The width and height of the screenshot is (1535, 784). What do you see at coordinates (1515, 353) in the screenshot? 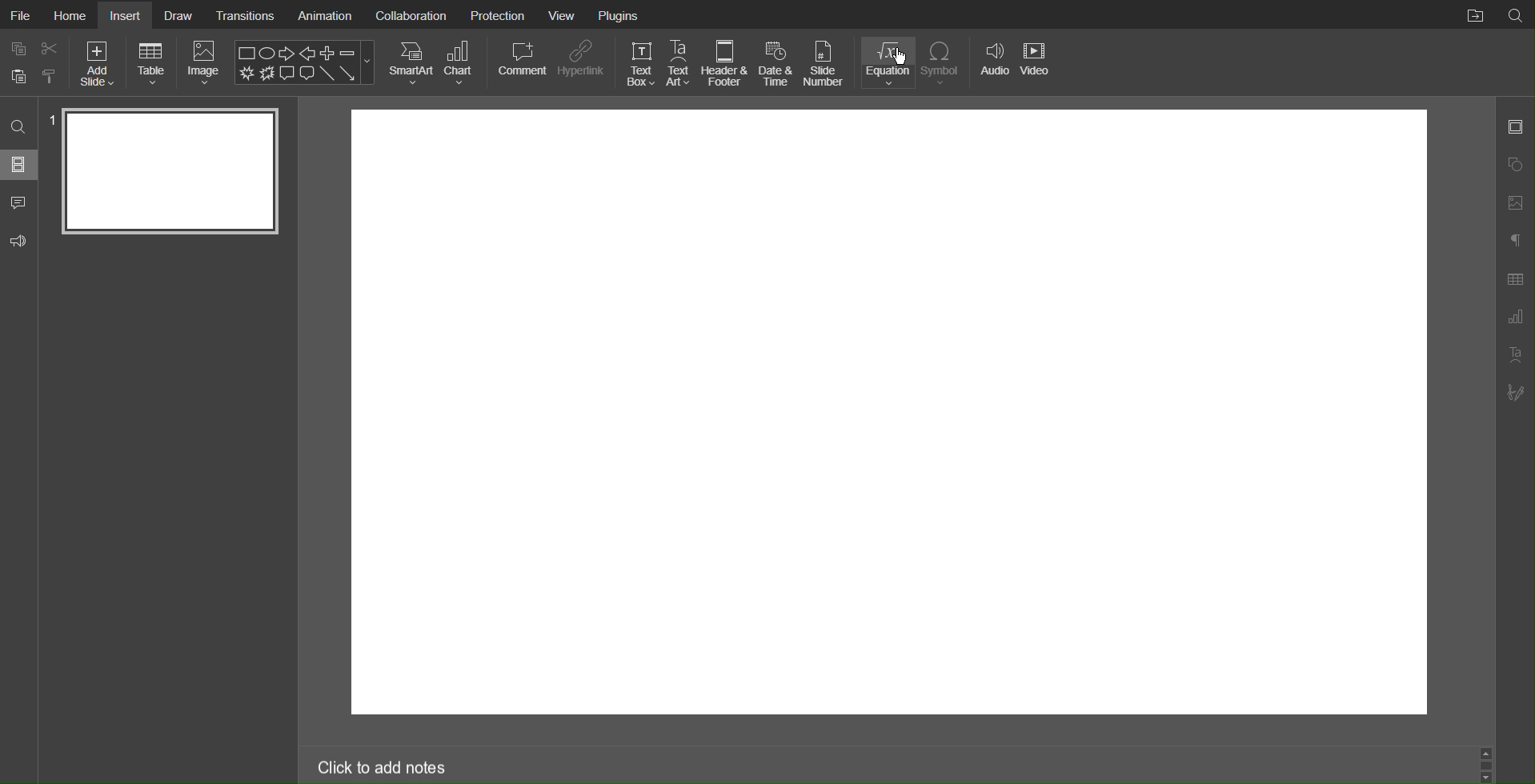
I see `TextArt` at bounding box center [1515, 353].